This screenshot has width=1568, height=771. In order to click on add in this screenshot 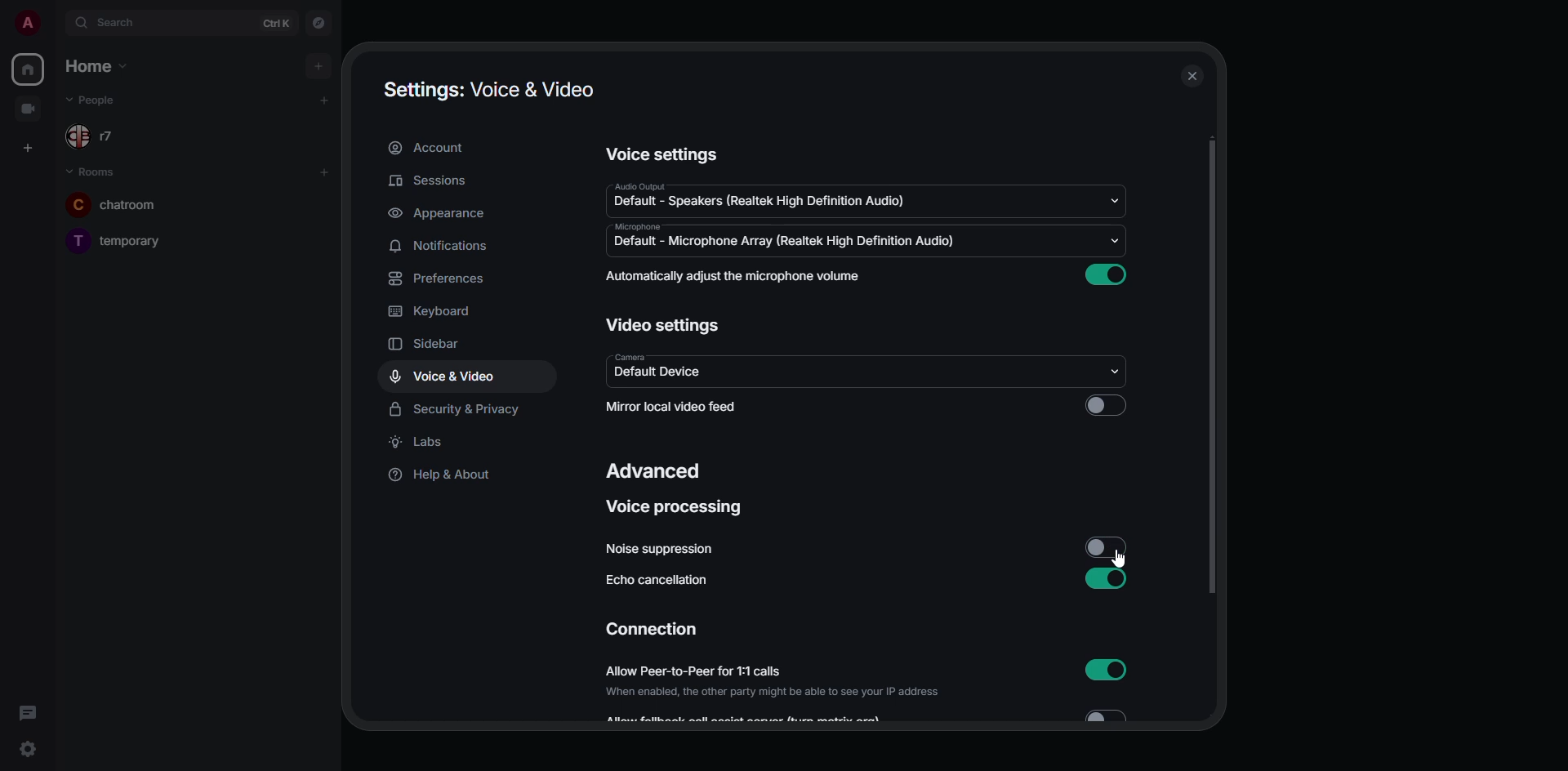, I will do `click(327, 100)`.